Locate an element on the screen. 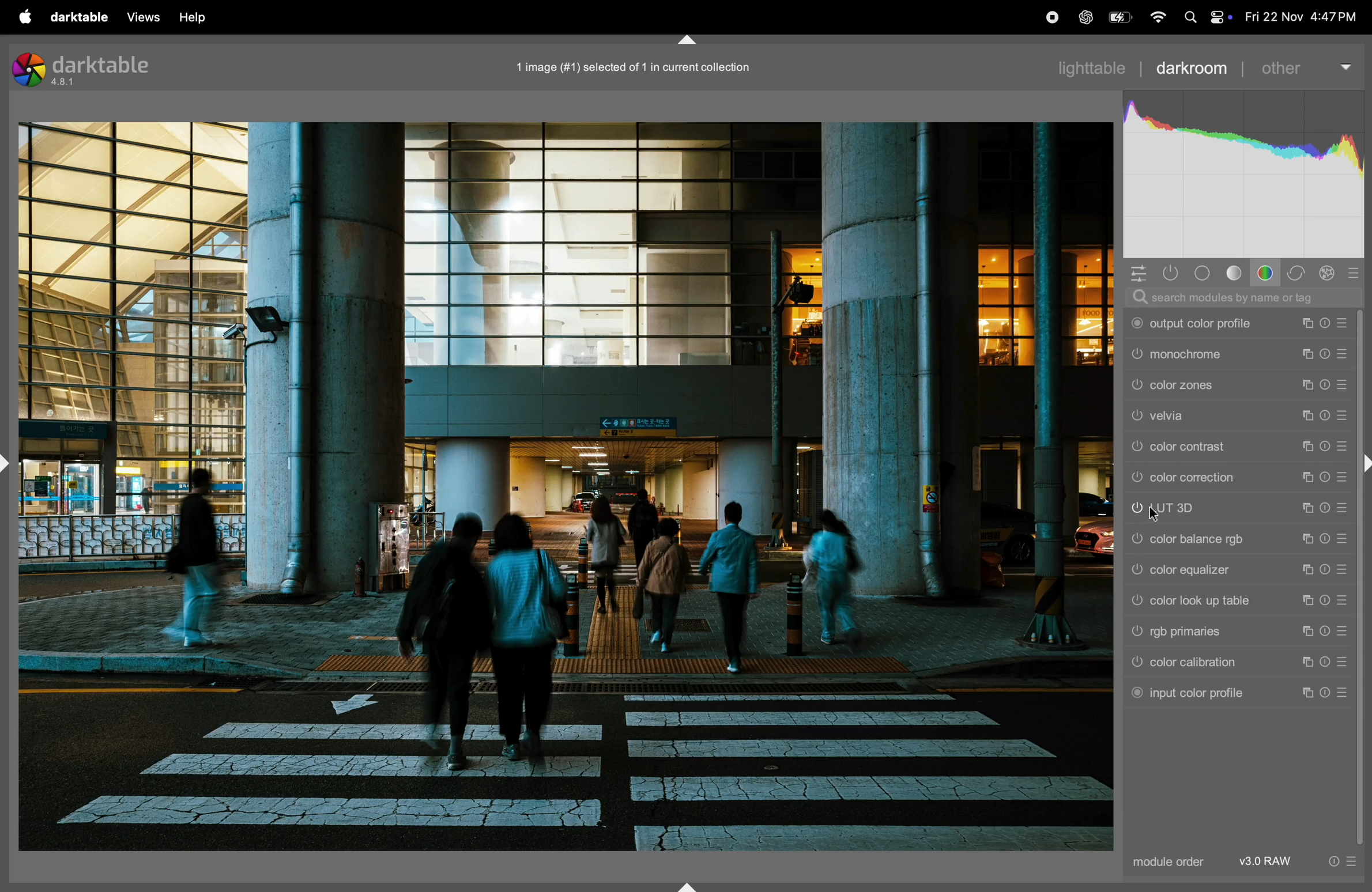 Image resolution: width=1372 pixels, height=892 pixels. multiple intance actions is located at coordinates (1308, 414).